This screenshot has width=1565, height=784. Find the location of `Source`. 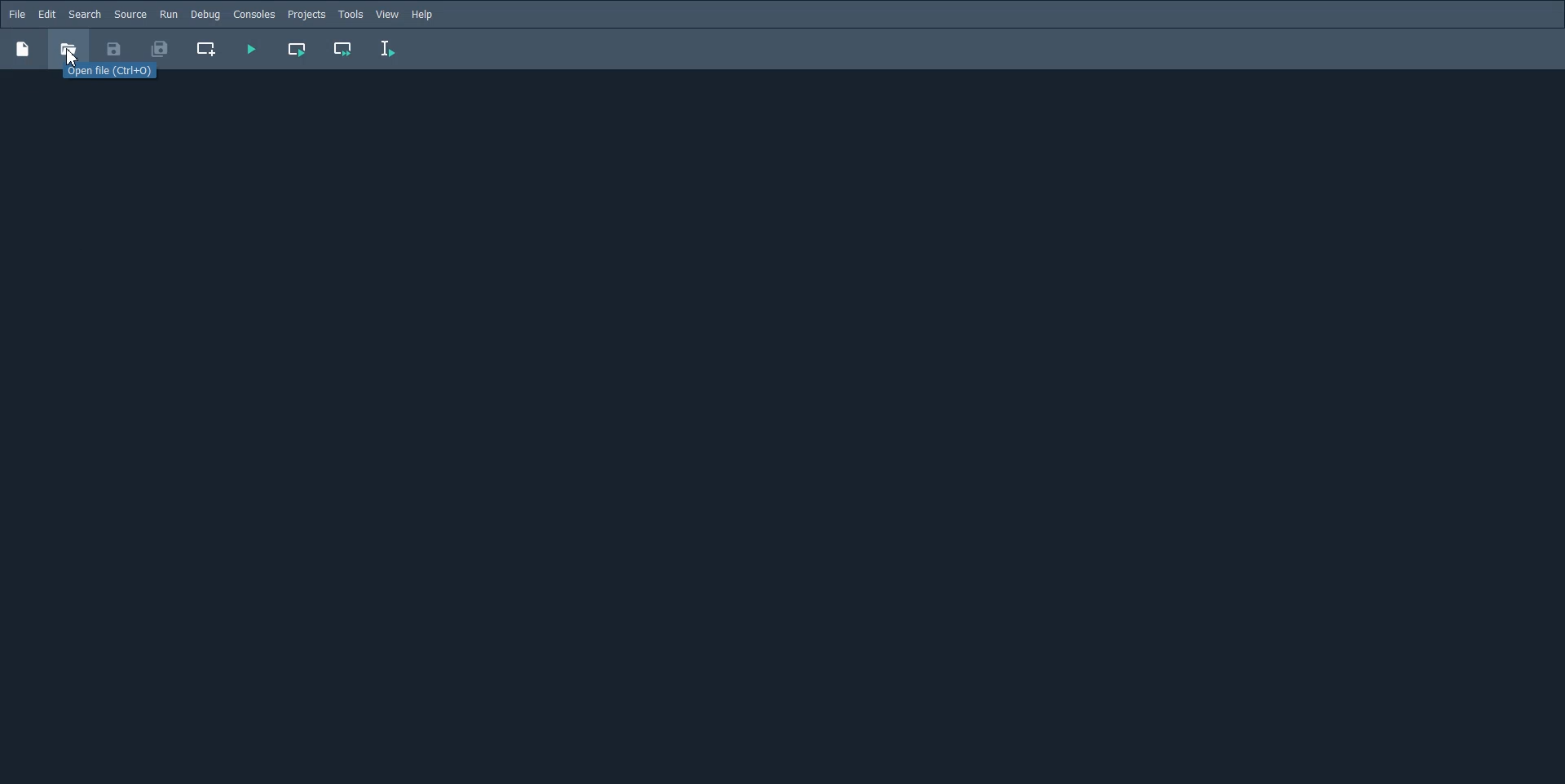

Source is located at coordinates (130, 14).